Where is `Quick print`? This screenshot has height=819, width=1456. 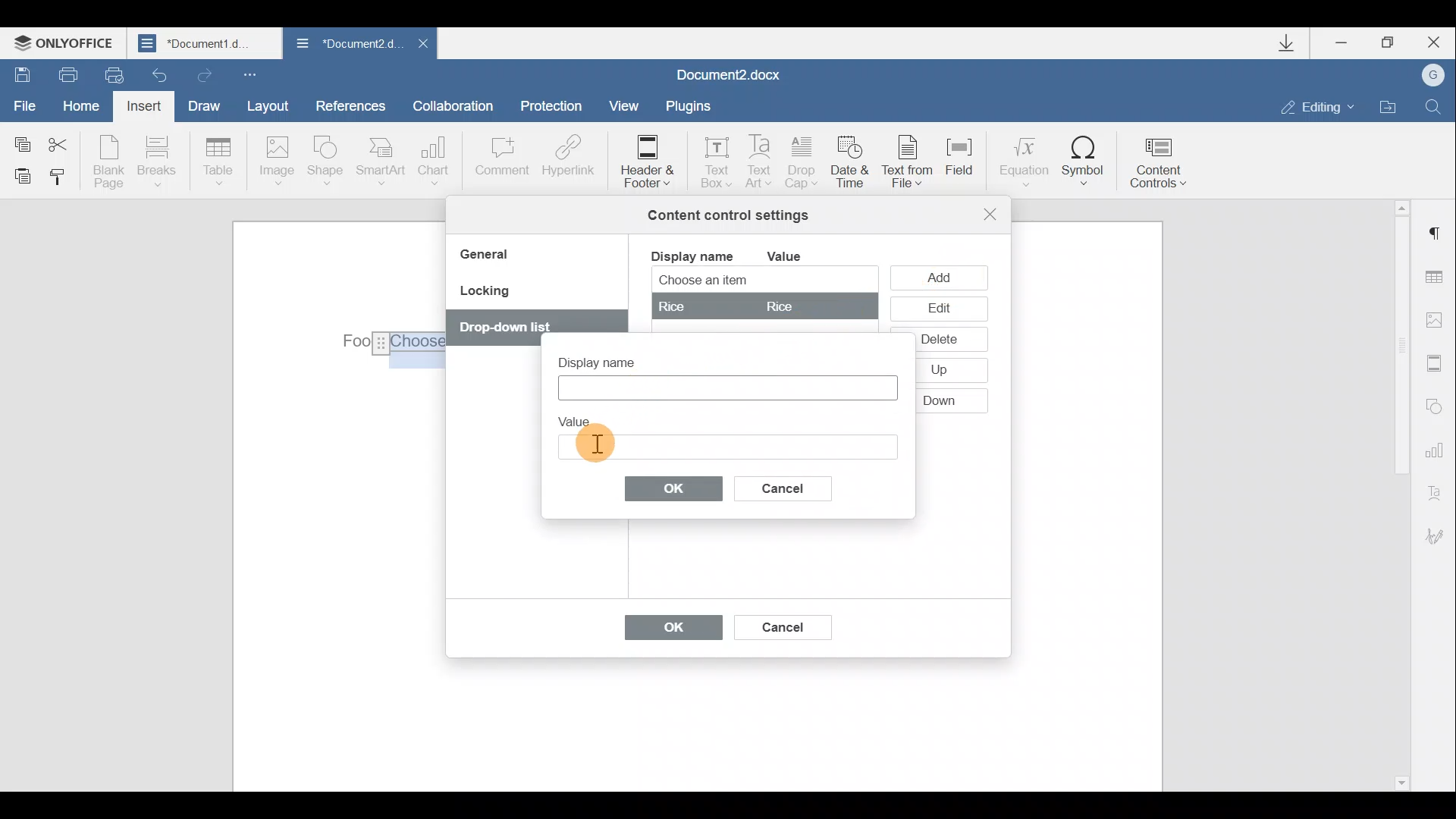
Quick print is located at coordinates (112, 76).